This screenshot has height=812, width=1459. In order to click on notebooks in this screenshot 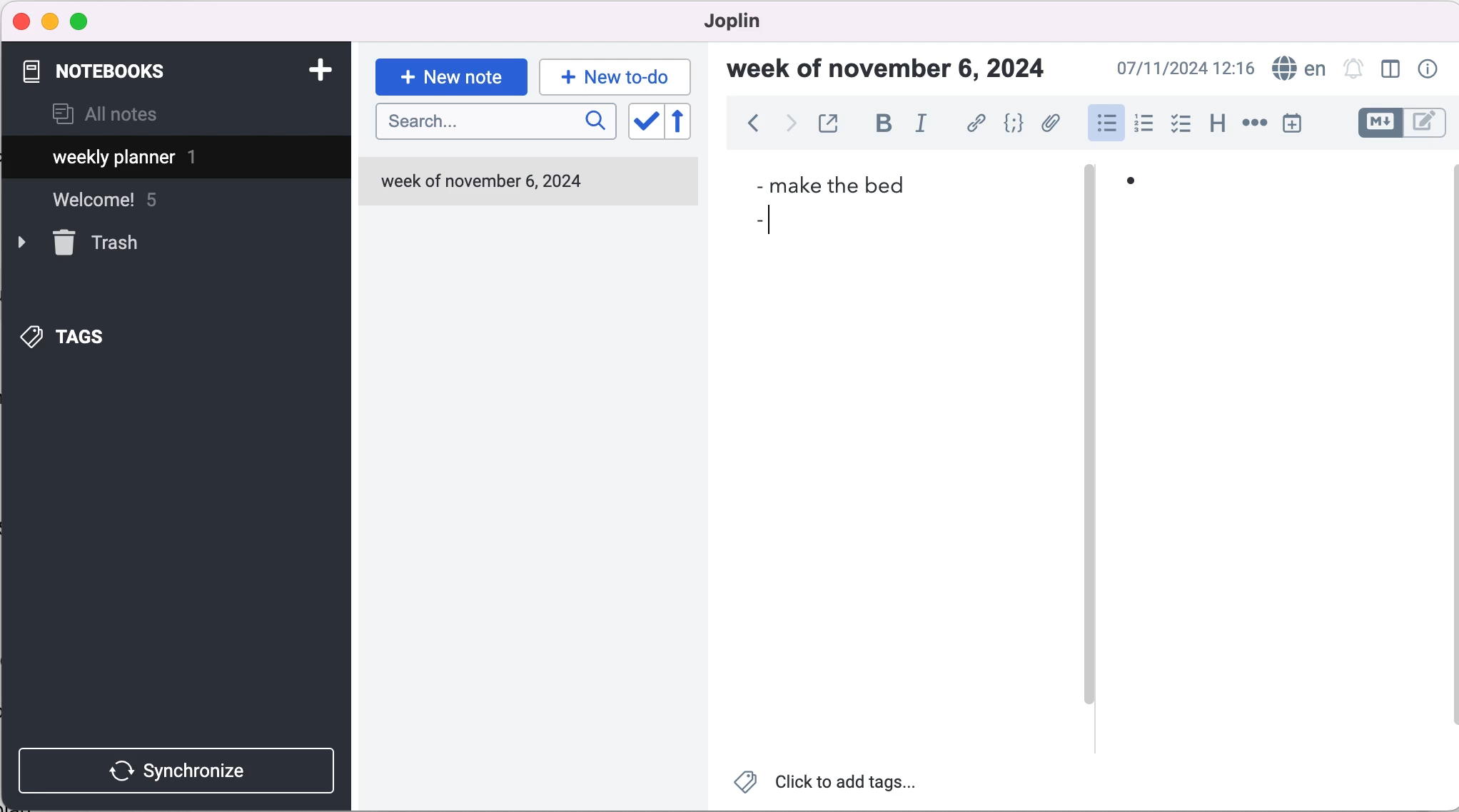, I will do `click(106, 71)`.